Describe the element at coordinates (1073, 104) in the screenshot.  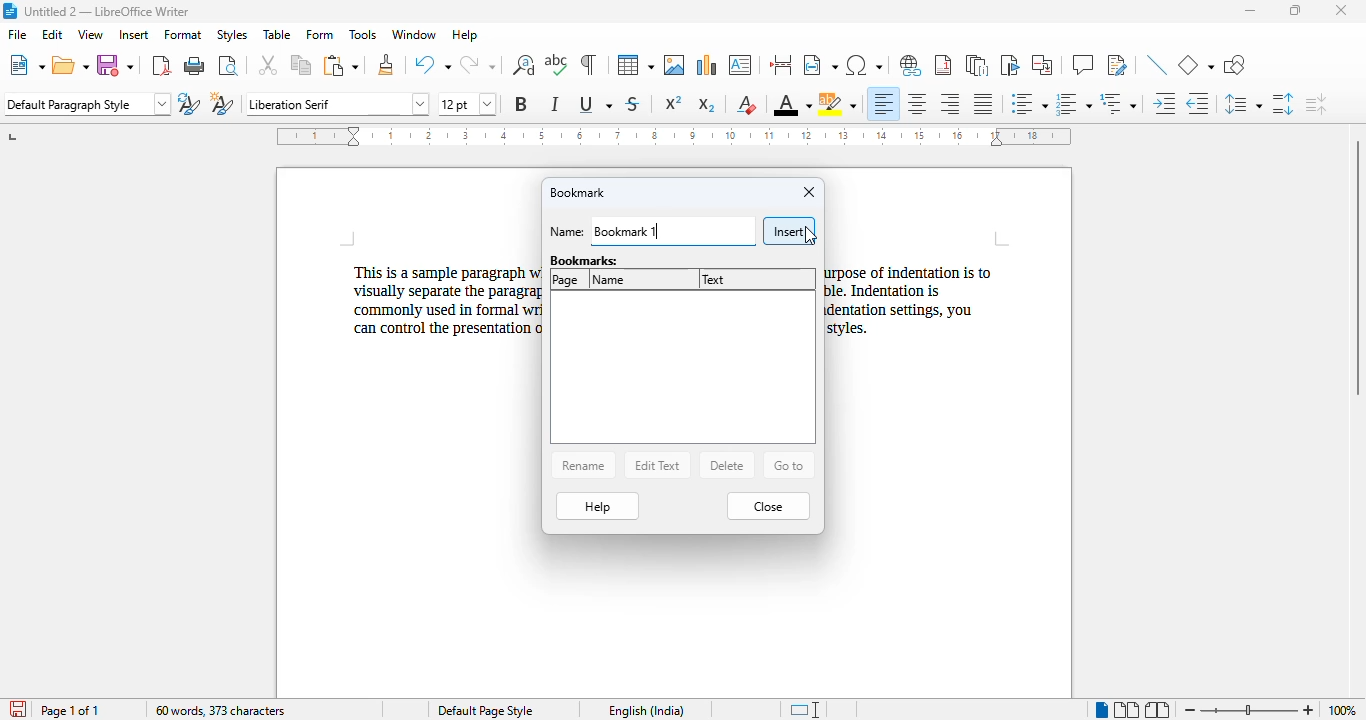
I see `toggle ordered list` at that location.